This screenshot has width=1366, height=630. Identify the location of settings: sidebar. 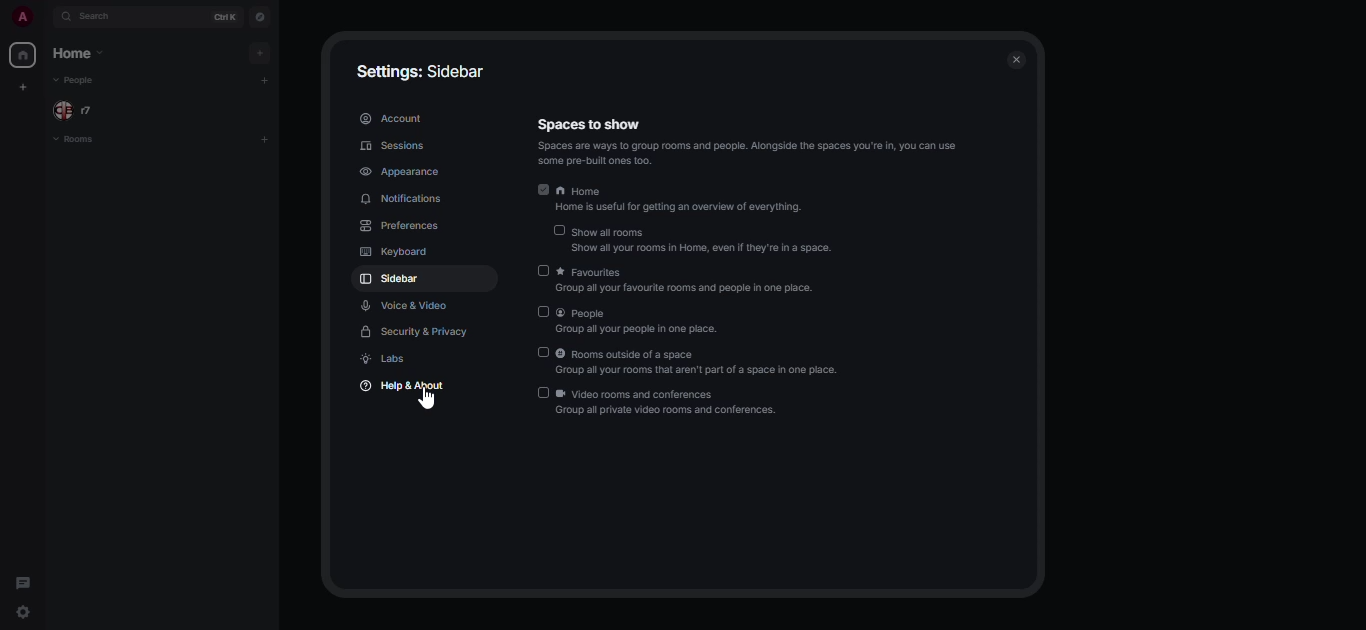
(419, 70).